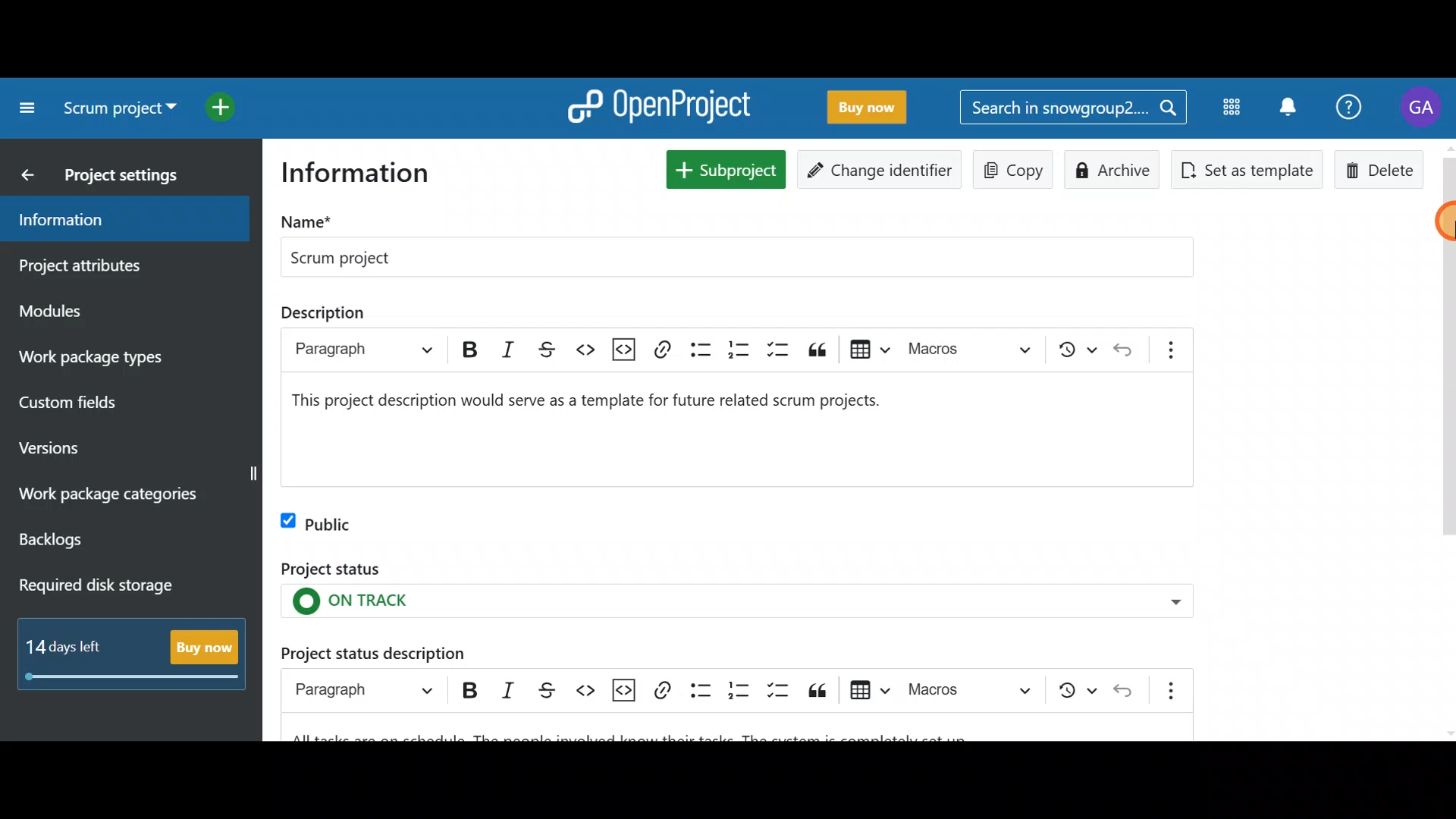 This screenshot has height=819, width=1456. I want to click on Notification centre, so click(1284, 106).